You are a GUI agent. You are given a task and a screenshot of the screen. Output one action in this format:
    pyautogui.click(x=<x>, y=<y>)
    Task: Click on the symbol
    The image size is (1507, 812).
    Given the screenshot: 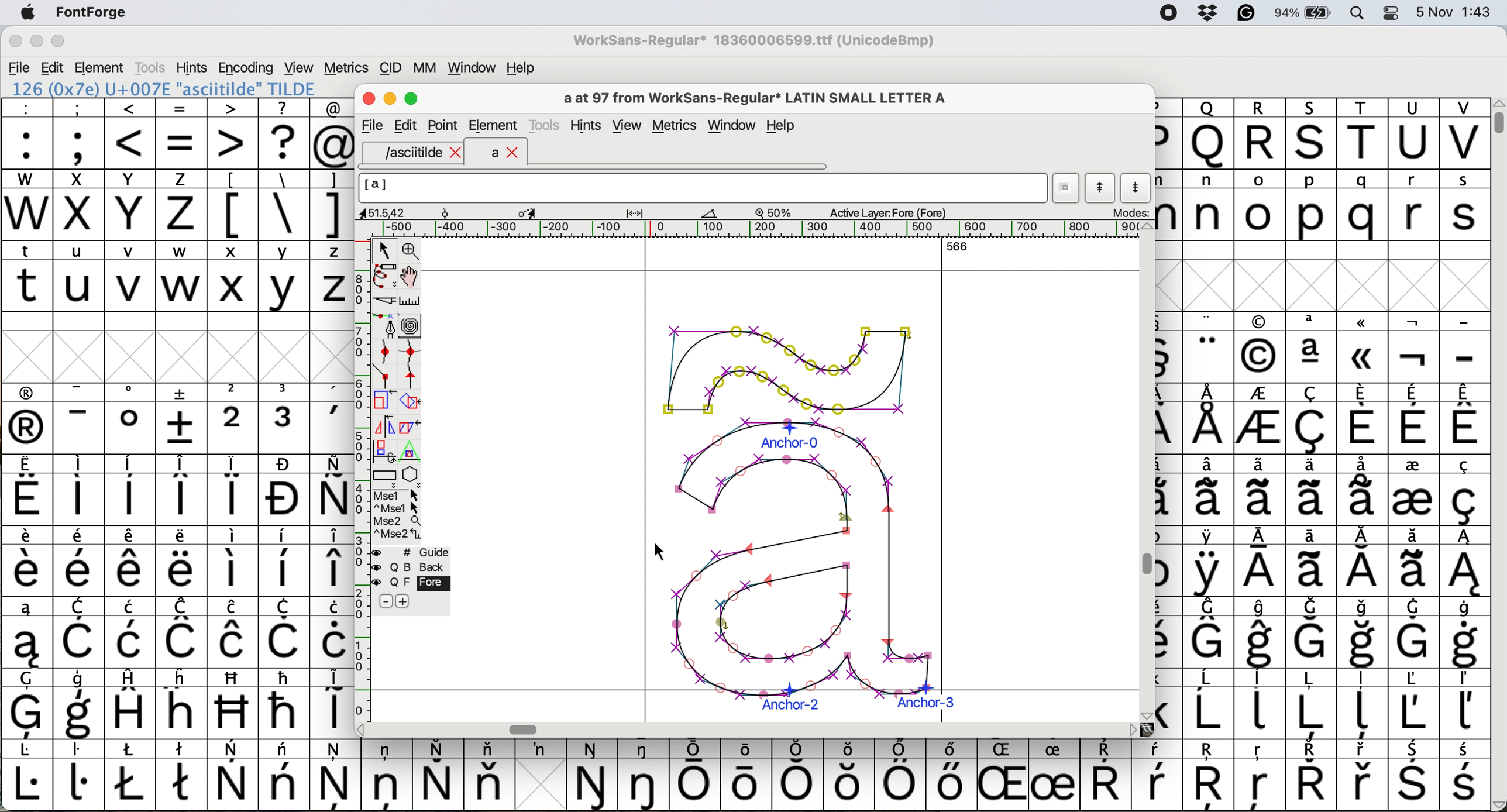 What is the action you would take?
    pyautogui.click(x=1312, y=562)
    